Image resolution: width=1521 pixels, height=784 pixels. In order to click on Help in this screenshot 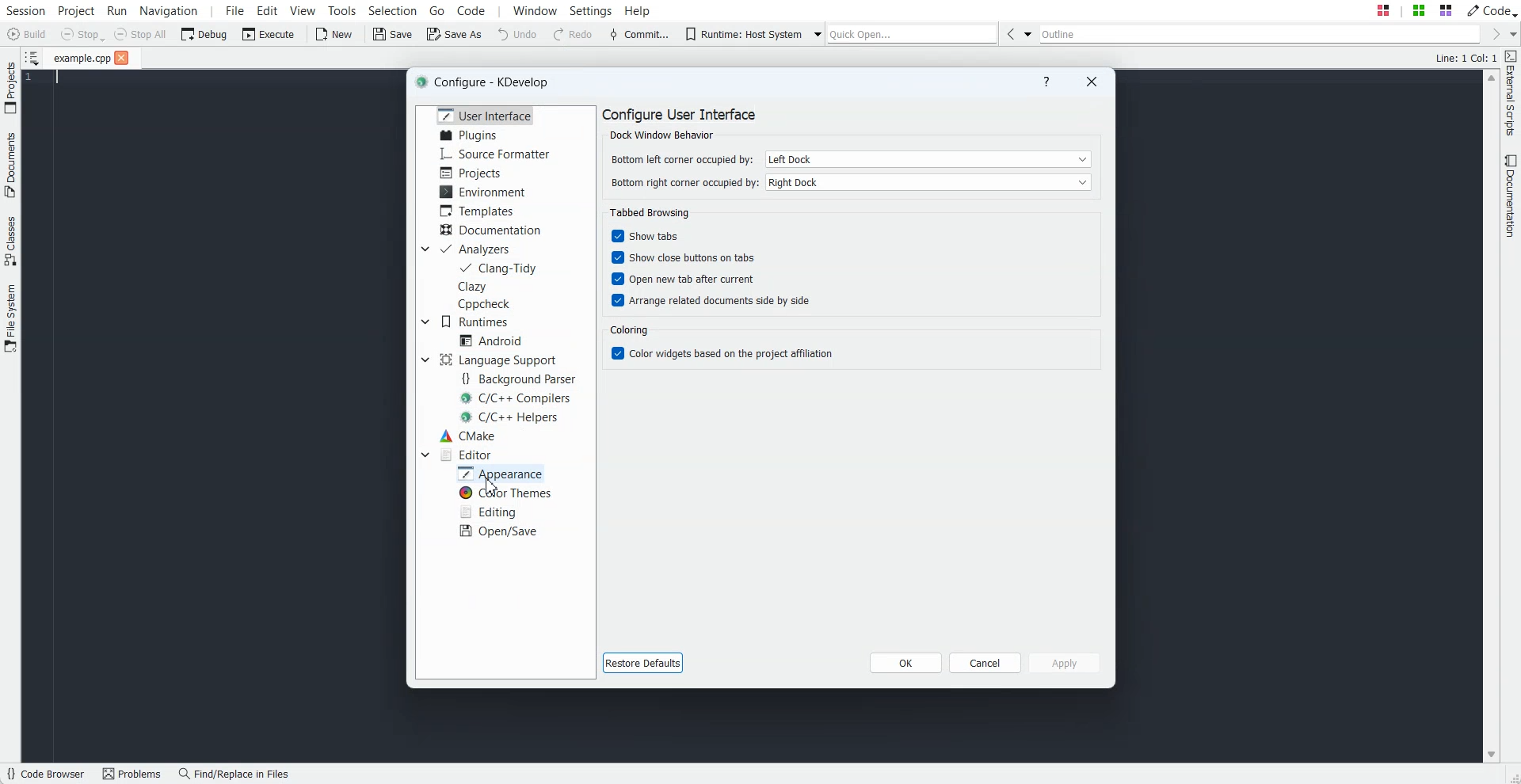, I will do `click(1046, 81)`.